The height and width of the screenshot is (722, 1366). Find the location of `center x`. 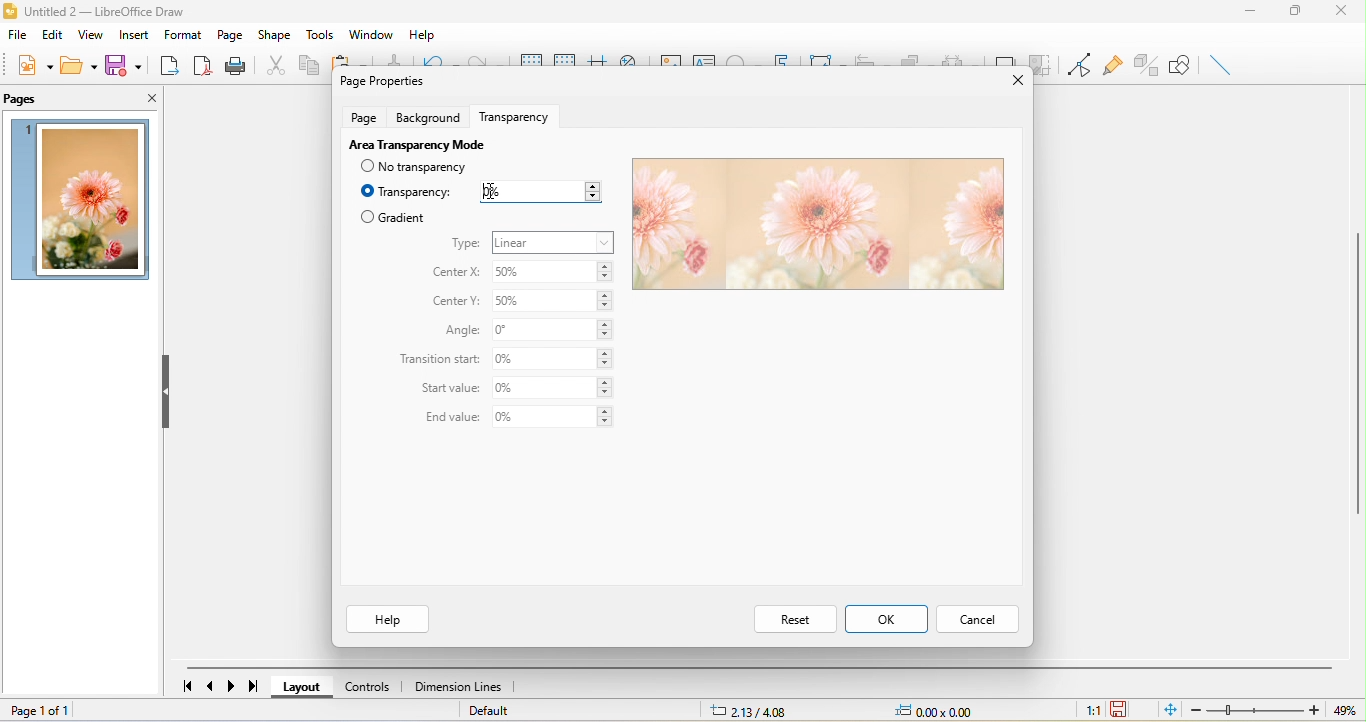

center x is located at coordinates (454, 273).